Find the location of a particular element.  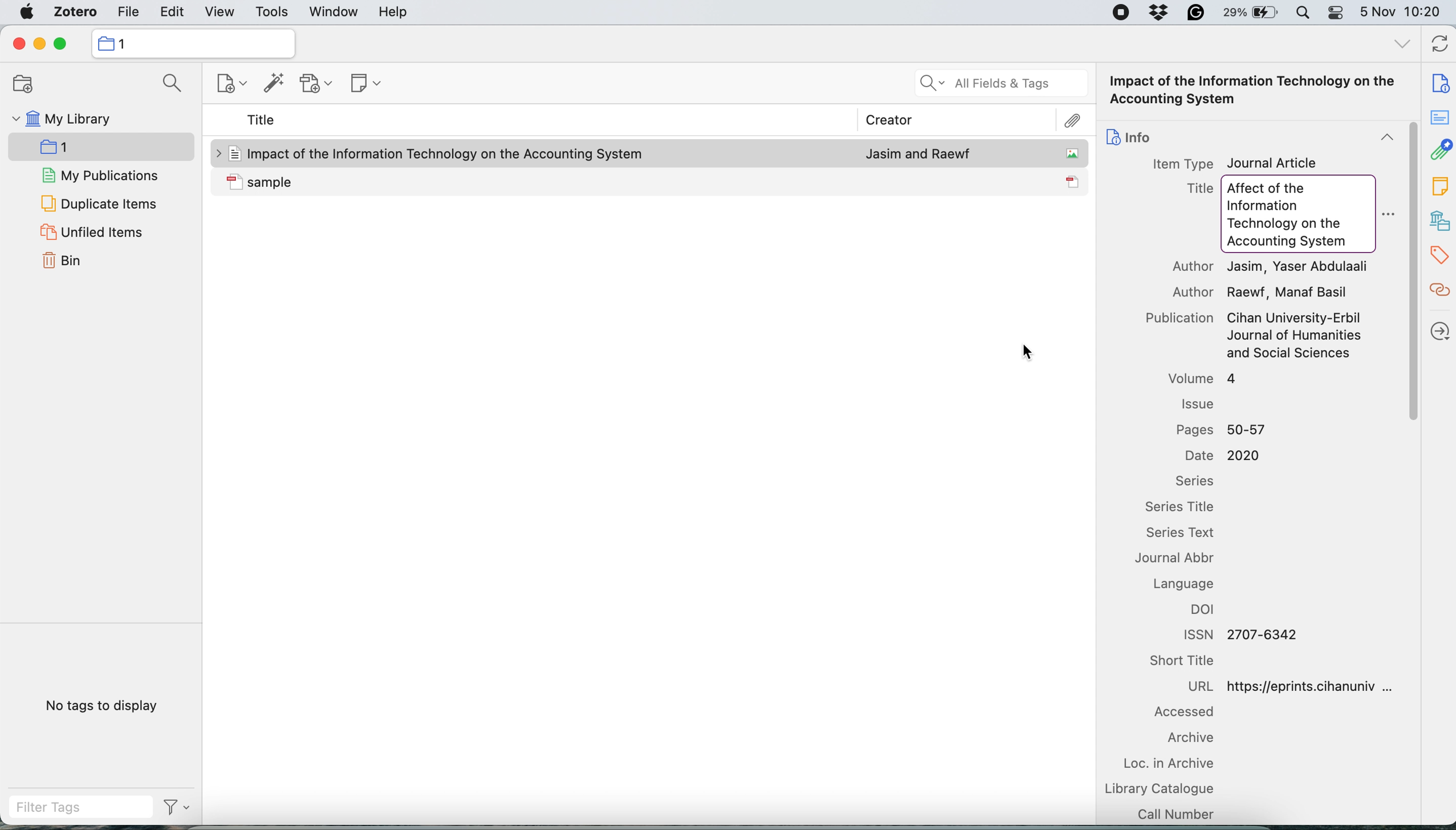

add items by identifier is located at coordinates (273, 84).